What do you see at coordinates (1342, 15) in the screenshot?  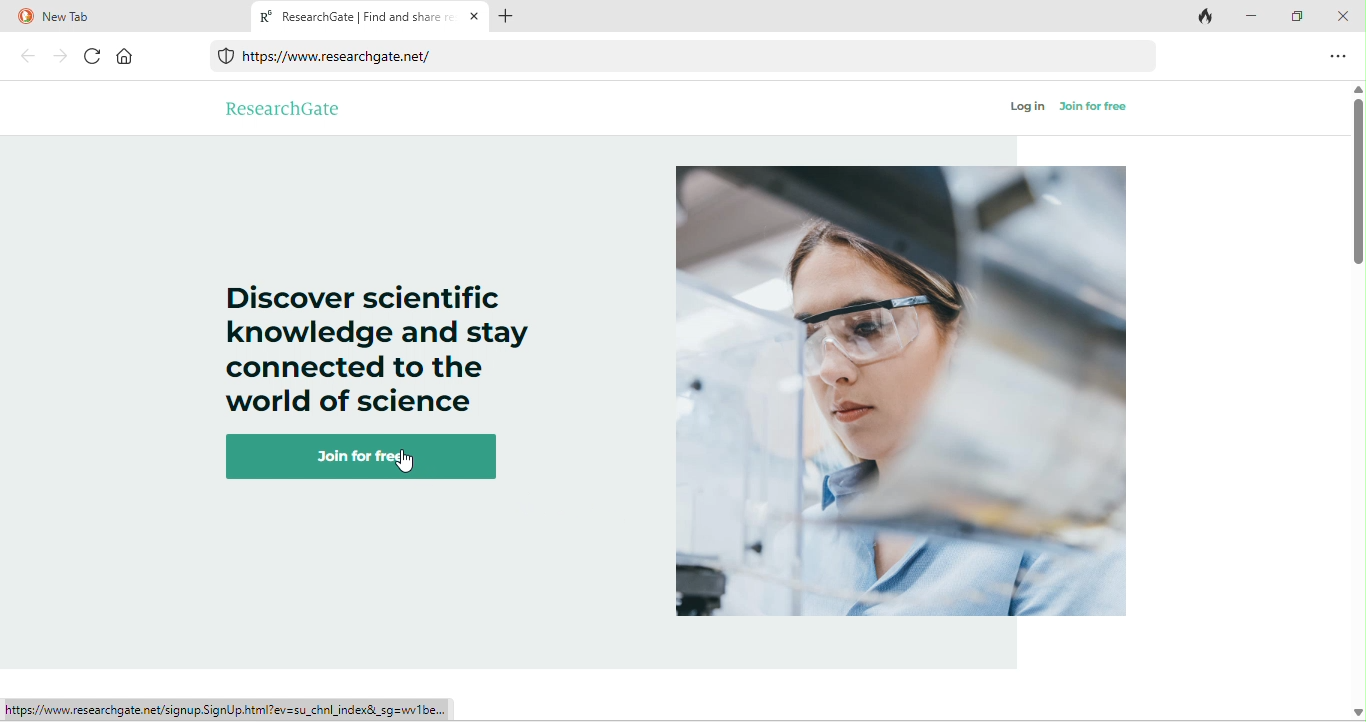 I see `close` at bounding box center [1342, 15].